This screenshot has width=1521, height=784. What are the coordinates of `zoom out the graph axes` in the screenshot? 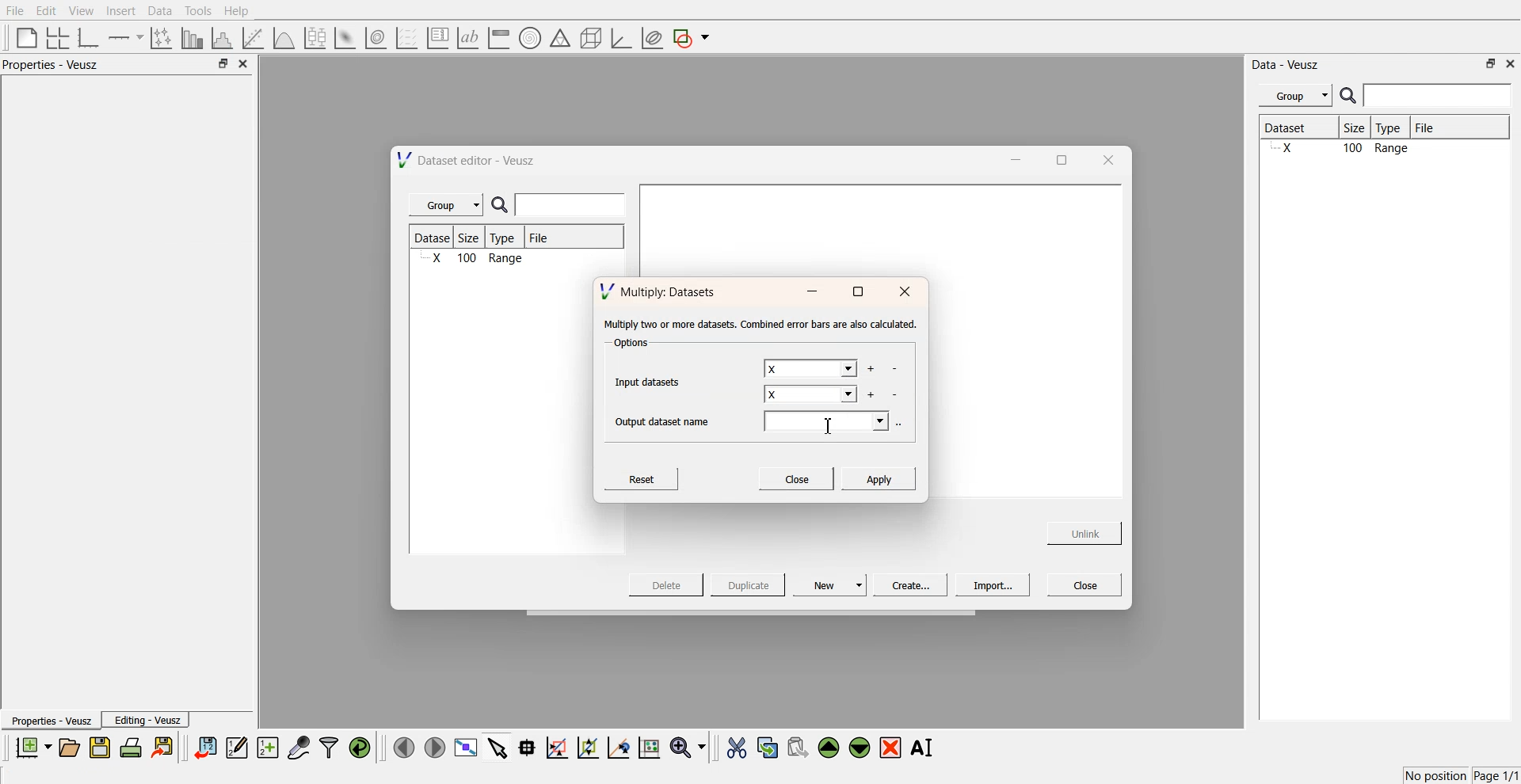 It's located at (586, 747).